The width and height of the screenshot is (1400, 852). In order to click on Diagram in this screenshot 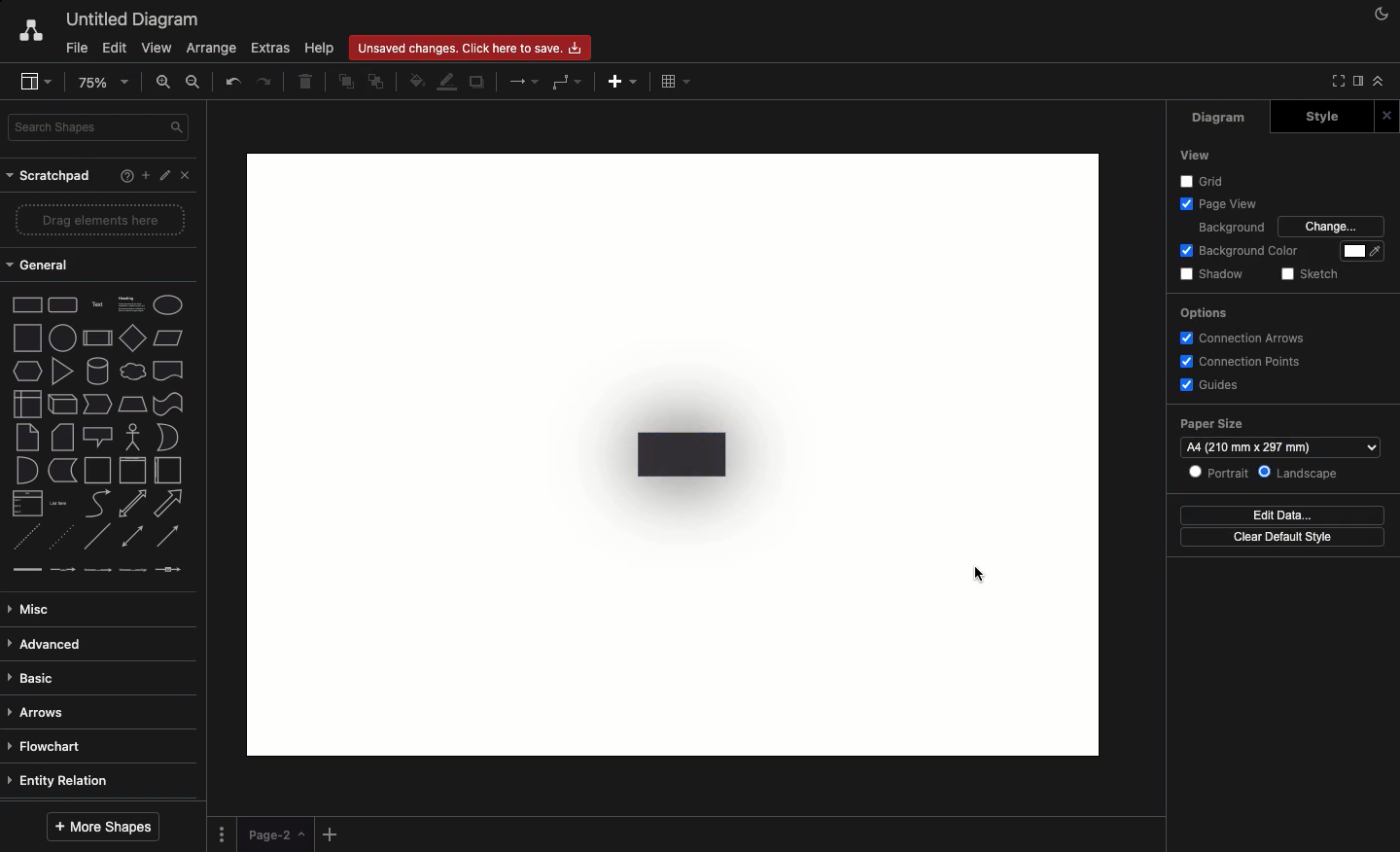, I will do `click(1210, 118)`.